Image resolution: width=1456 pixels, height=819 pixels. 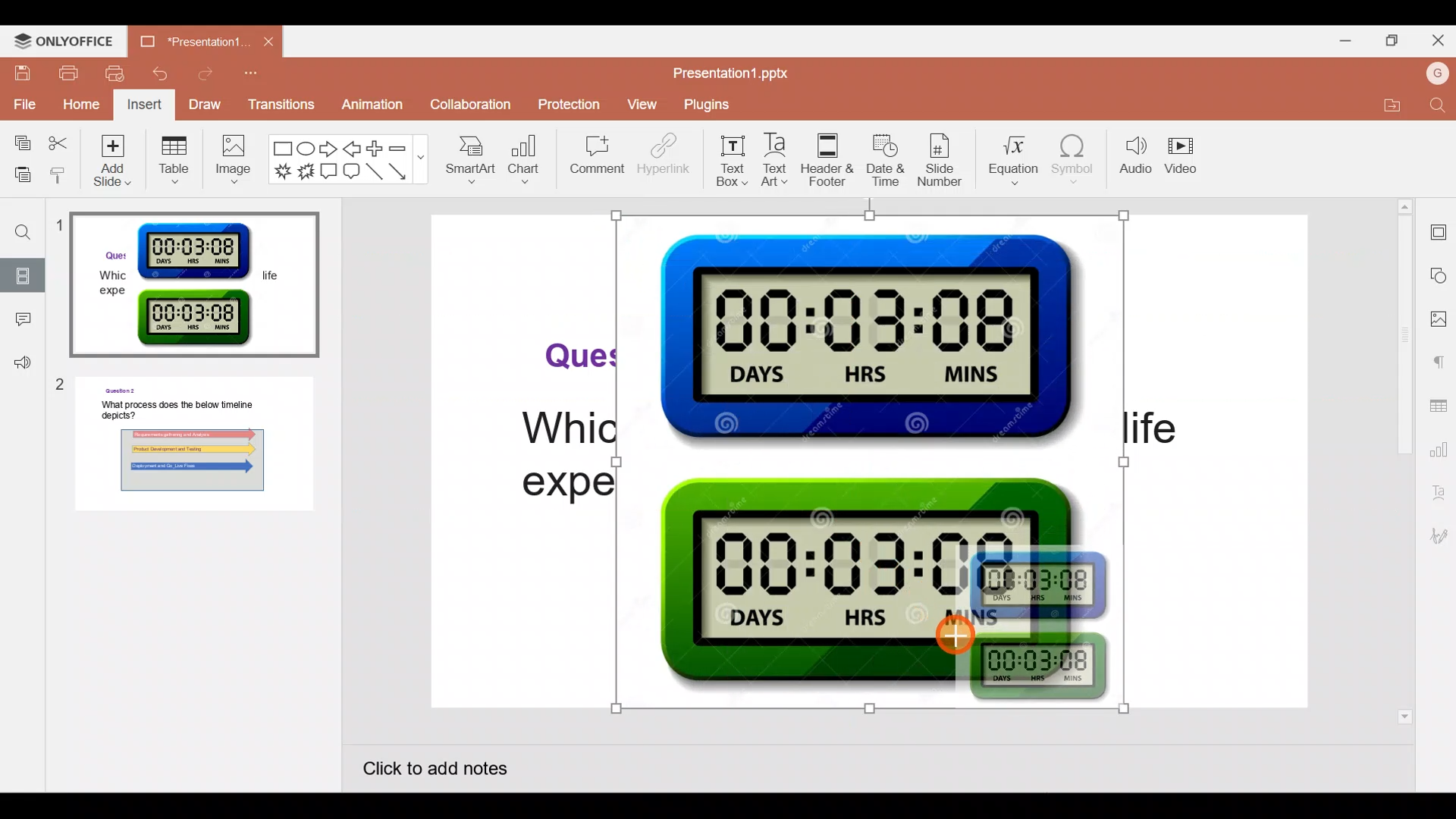 What do you see at coordinates (730, 158) in the screenshot?
I see `Text box` at bounding box center [730, 158].